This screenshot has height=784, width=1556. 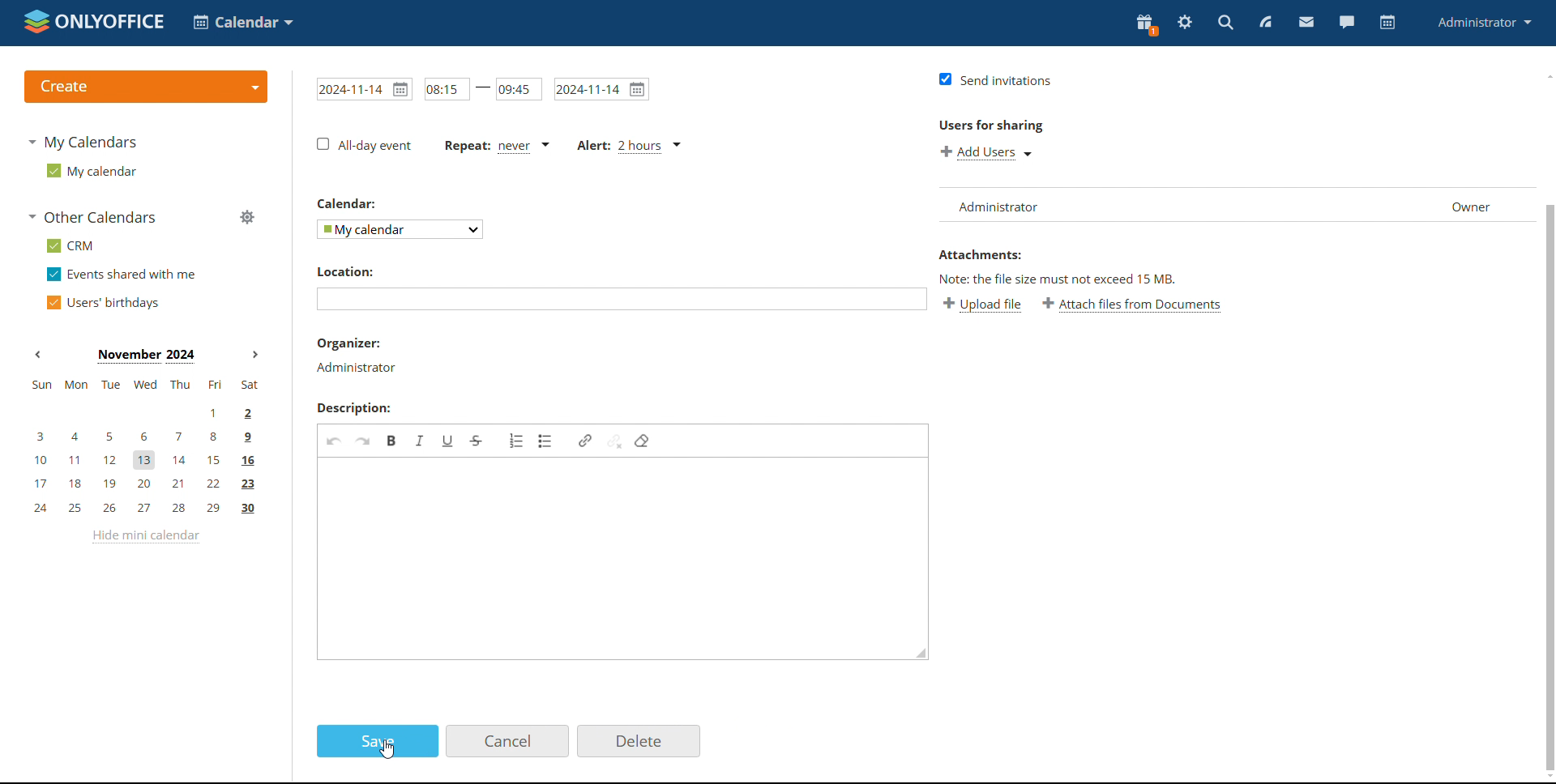 I want to click on start date, so click(x=363, y=92).